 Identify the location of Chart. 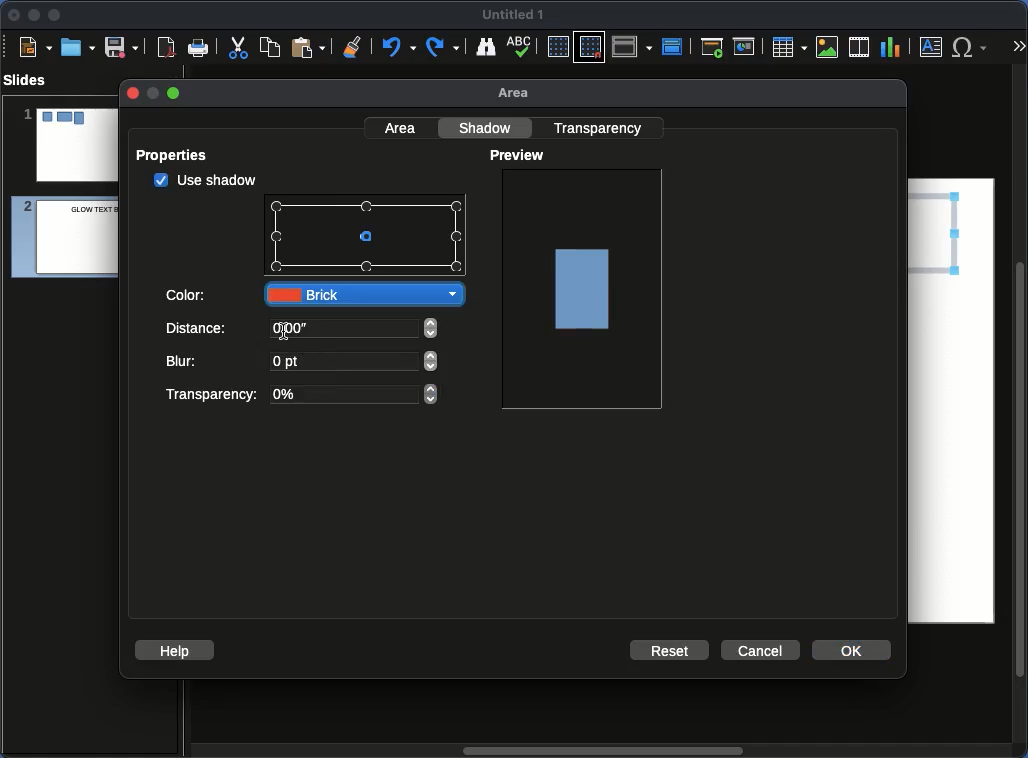
(890, 48).